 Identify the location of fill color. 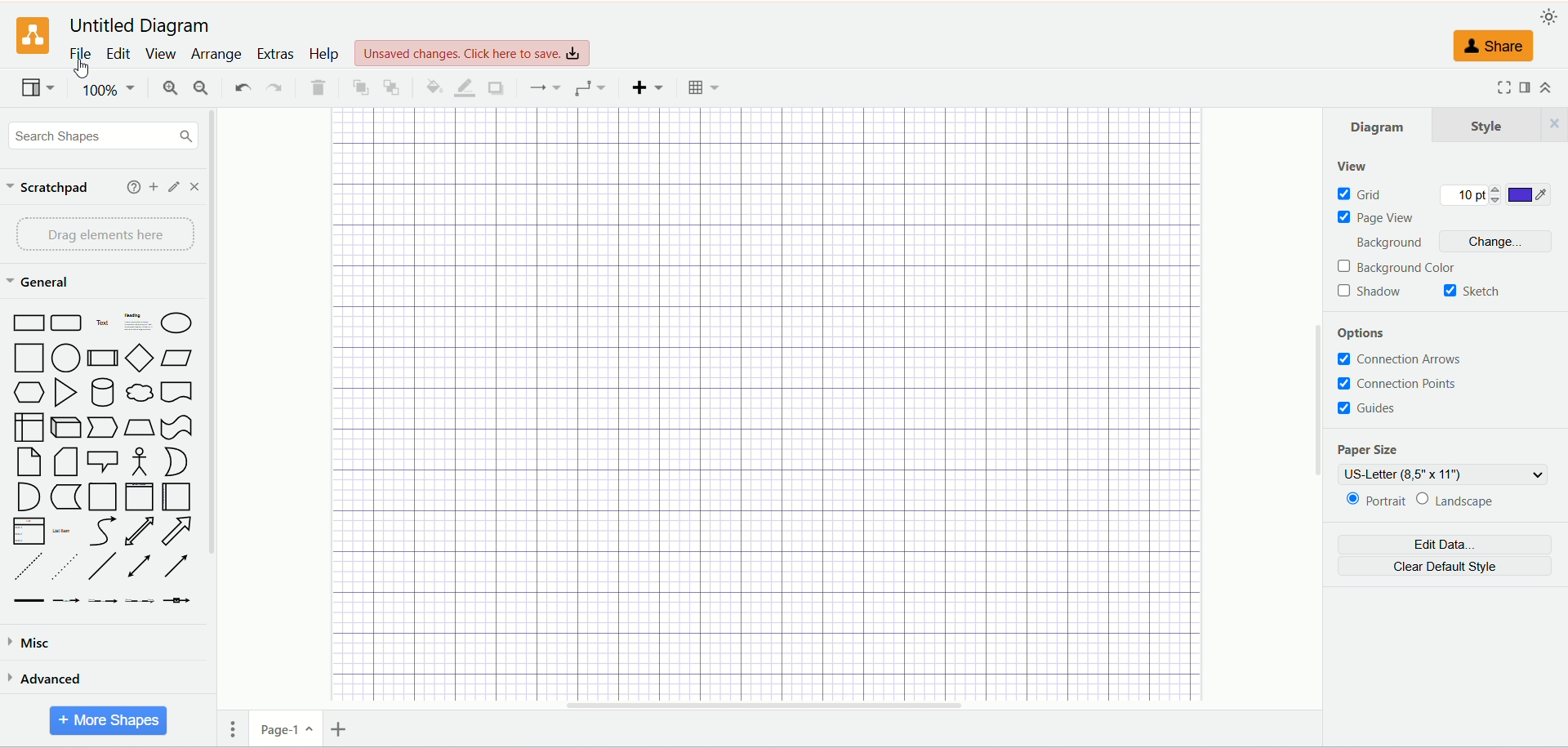
(430, 86).